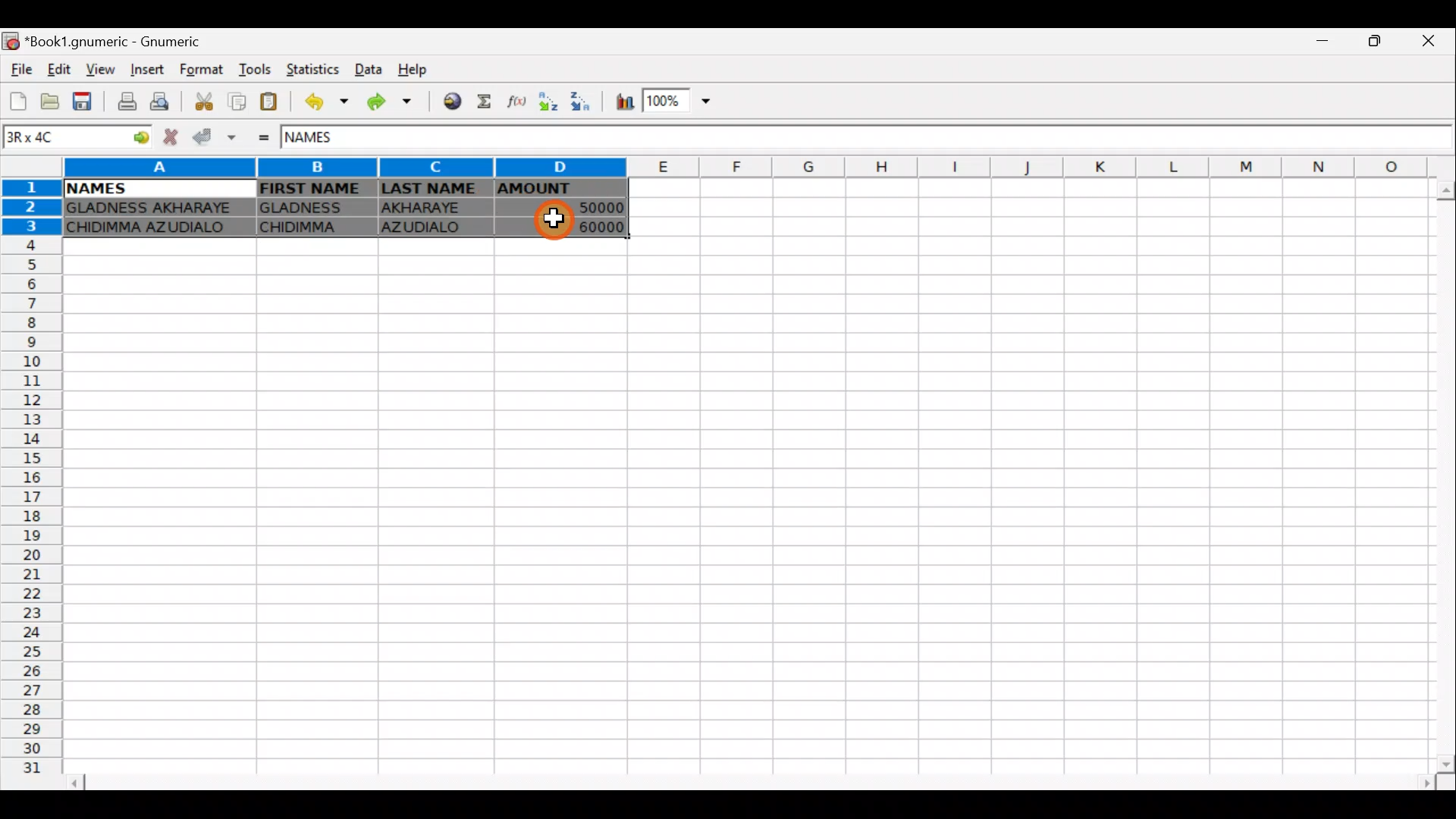  Describe the element at coordinates (429, 229) in the screenshot. I see `AZUDIALO` at that location.